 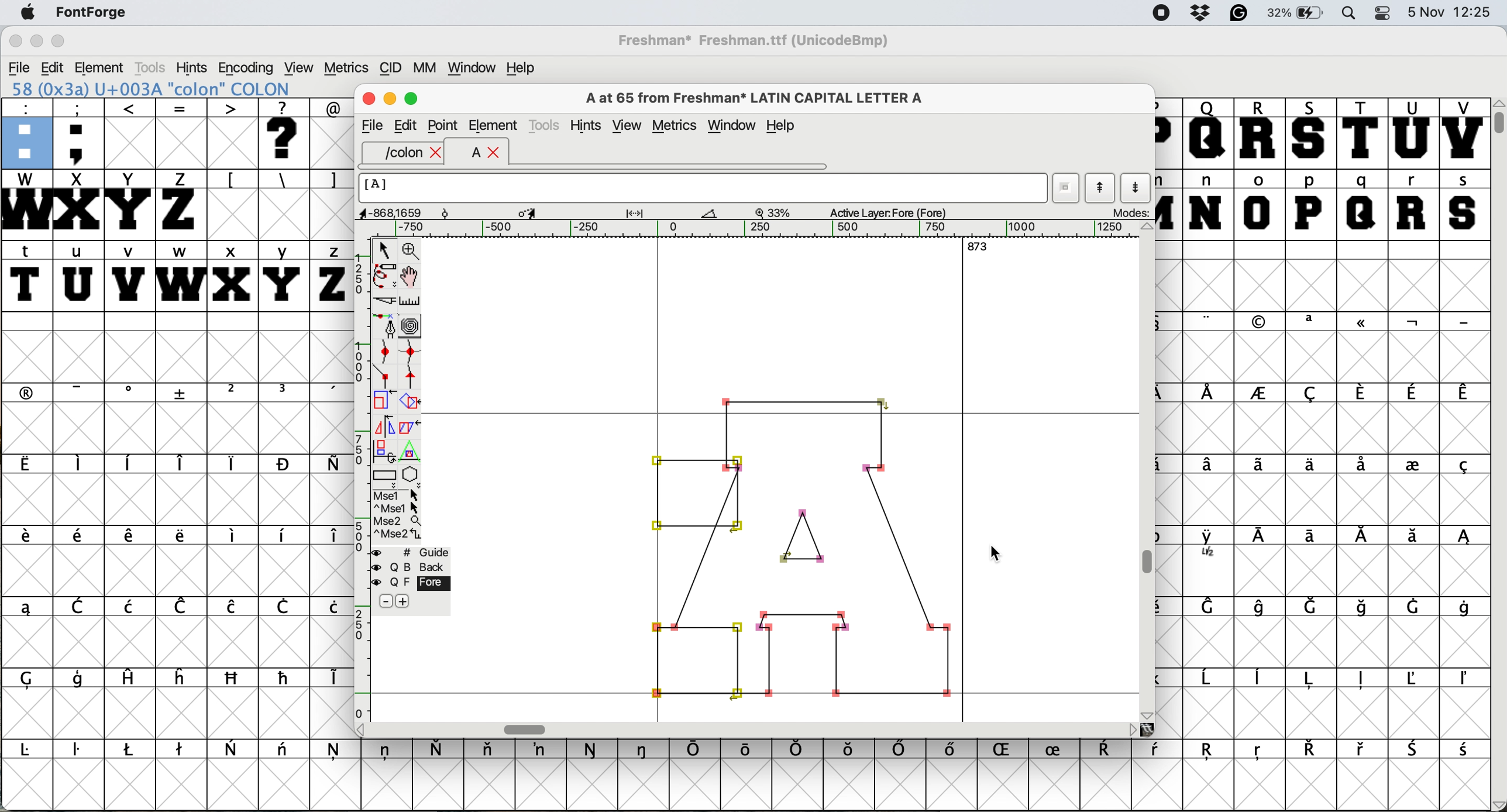 What do you see at coordinates (1007, 751) in the screenshot?
I see `symbol` at bounding box center [1007, 751].